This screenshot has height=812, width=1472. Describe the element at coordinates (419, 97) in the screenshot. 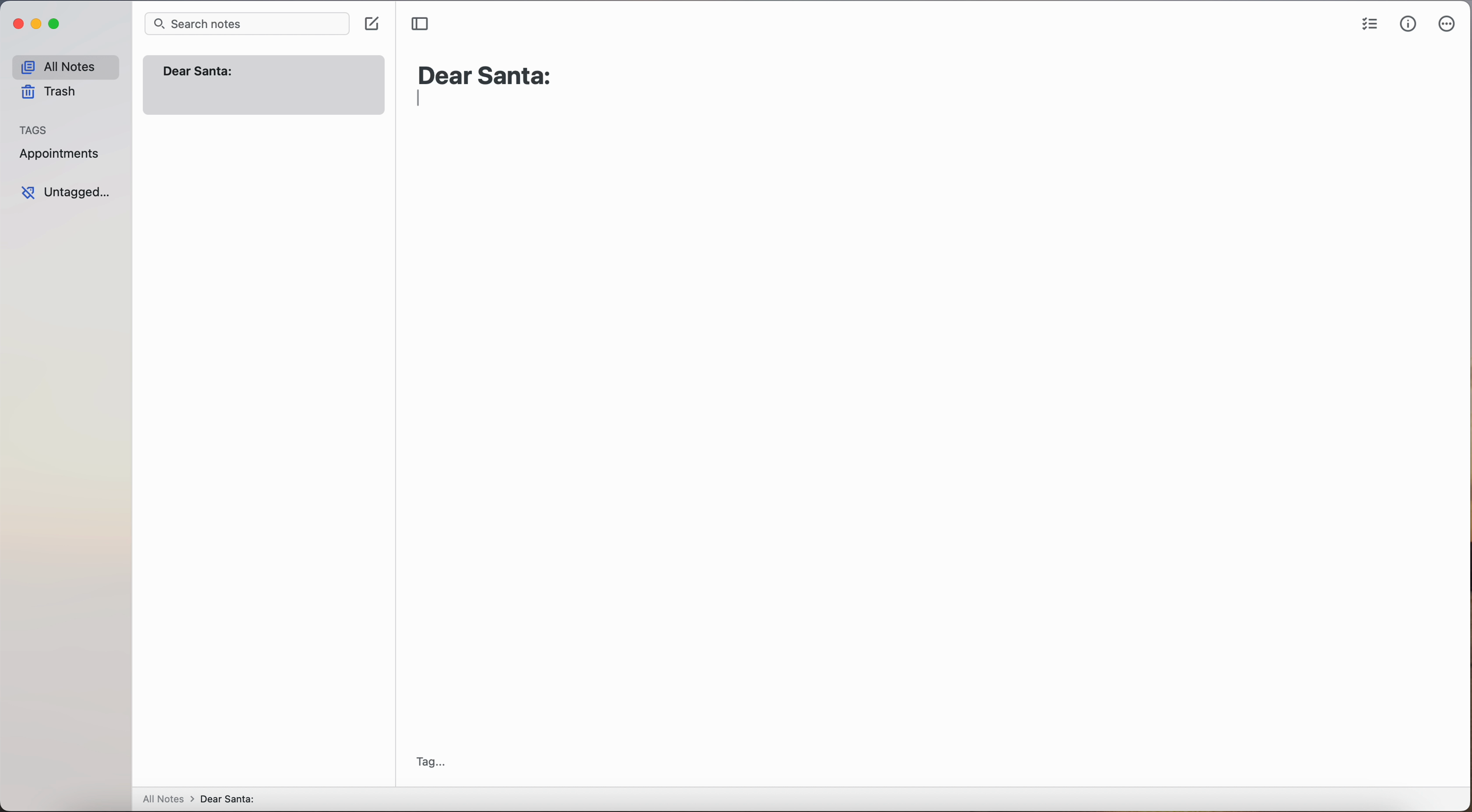

I see `typing indicator` at that location.